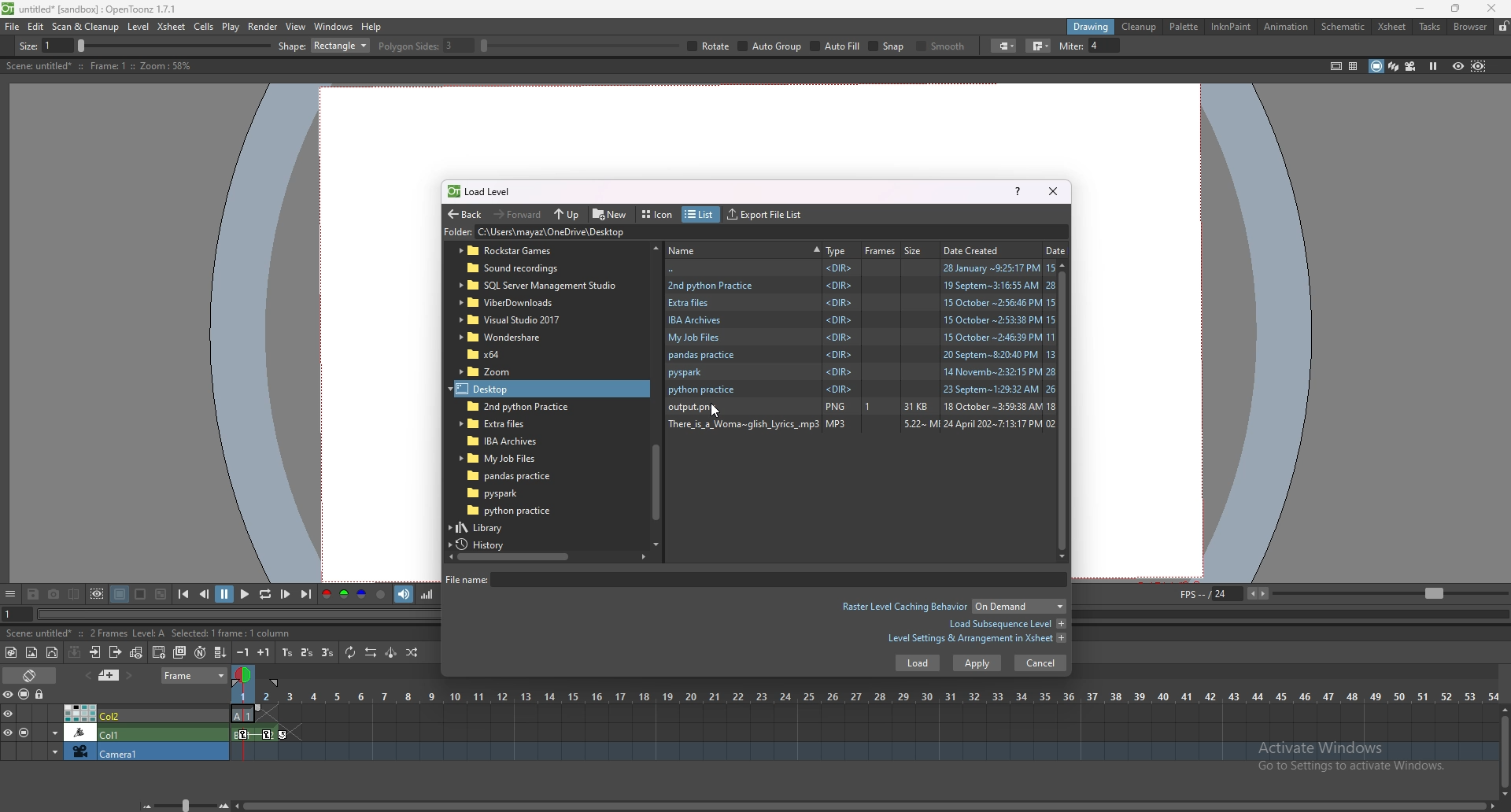 Image resolution: width=1511 pixels, height=812 pixels. What do you see at coordinates (615, 233) in the screenshot?
I see `folder` at bounding box center [615, 233].